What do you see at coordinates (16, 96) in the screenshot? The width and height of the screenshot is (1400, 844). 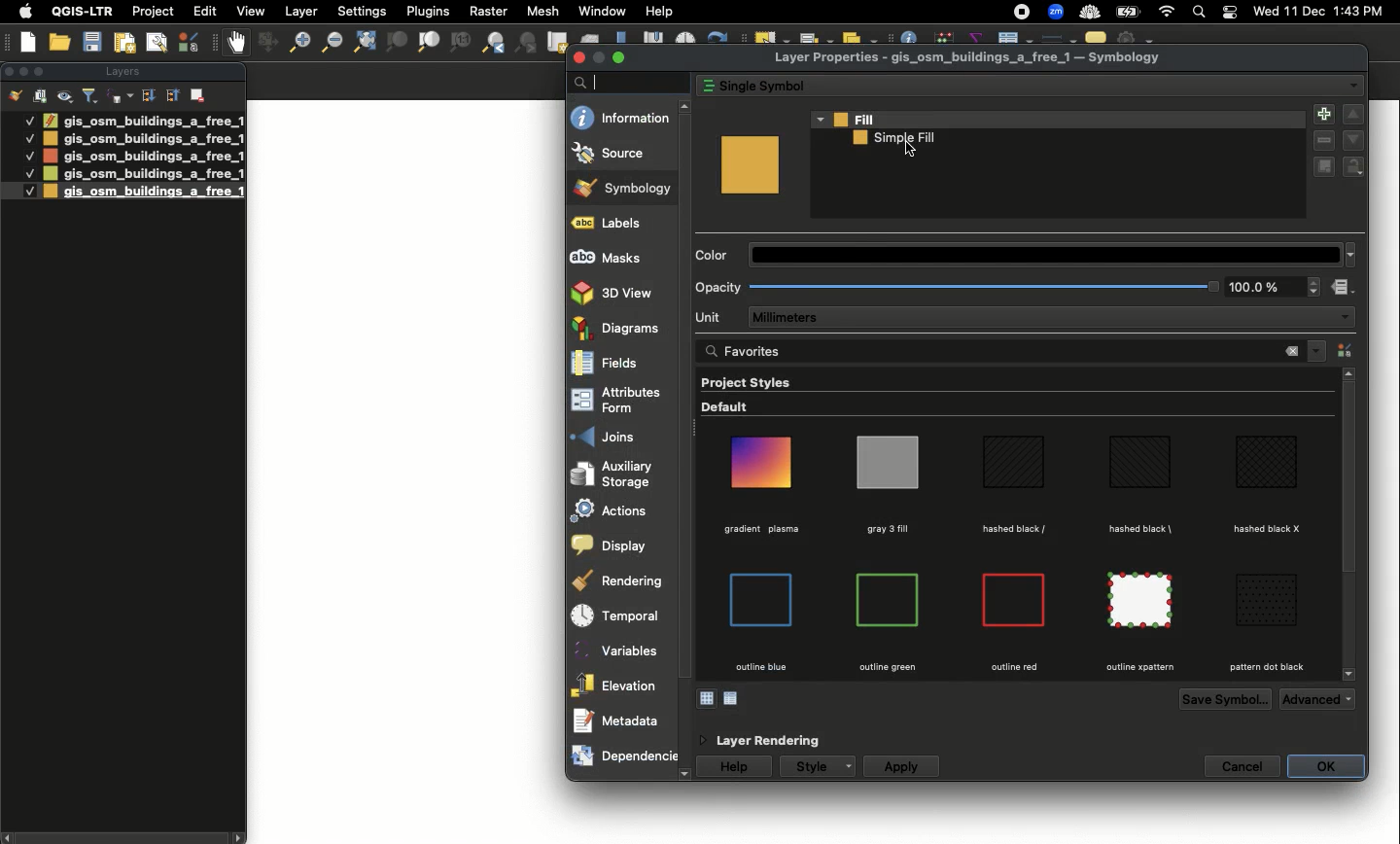 I see `Open the layer styling panel` at bounding box center [16, 96].